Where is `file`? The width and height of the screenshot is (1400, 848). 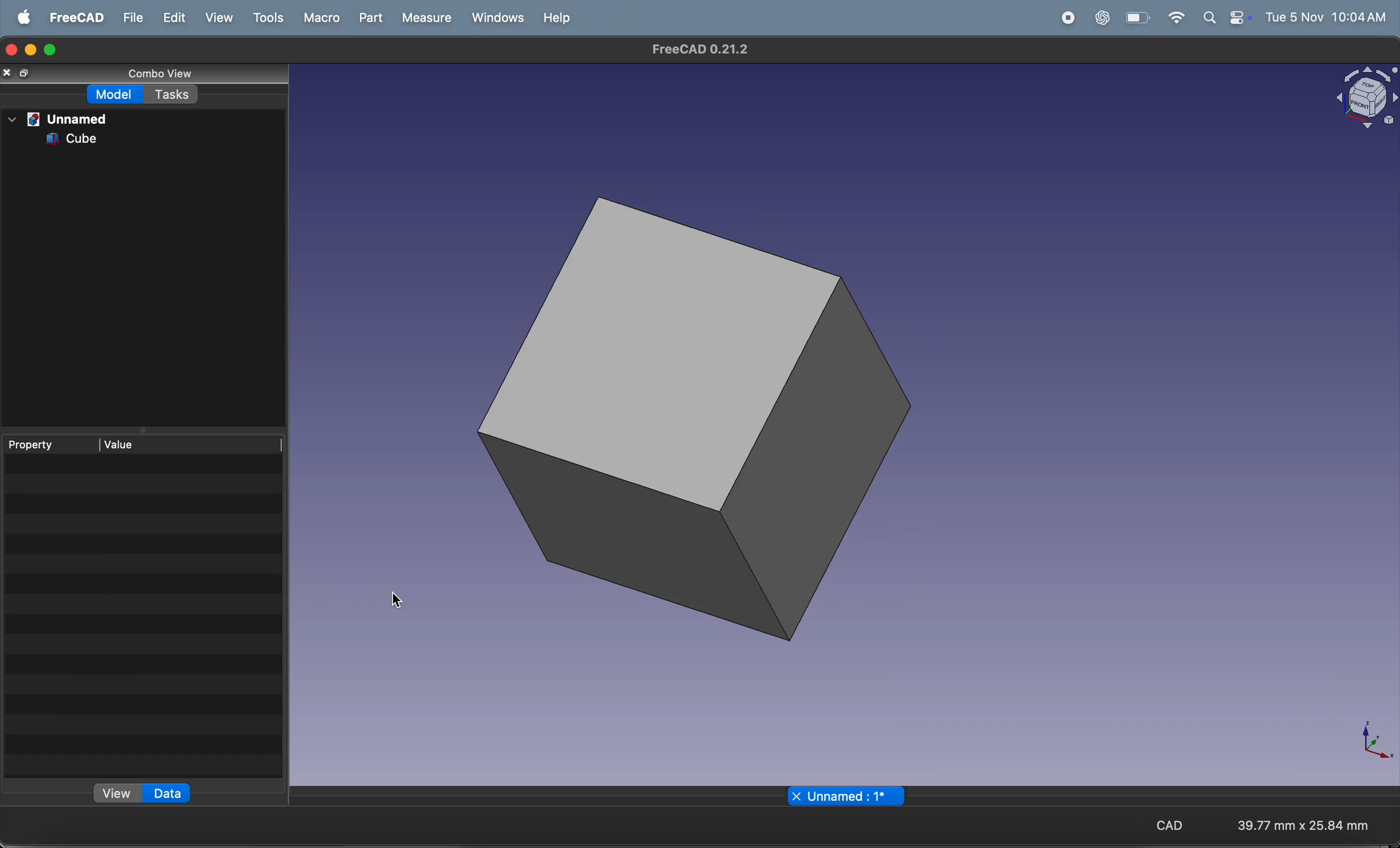 file is located at coordinates (127, 18).